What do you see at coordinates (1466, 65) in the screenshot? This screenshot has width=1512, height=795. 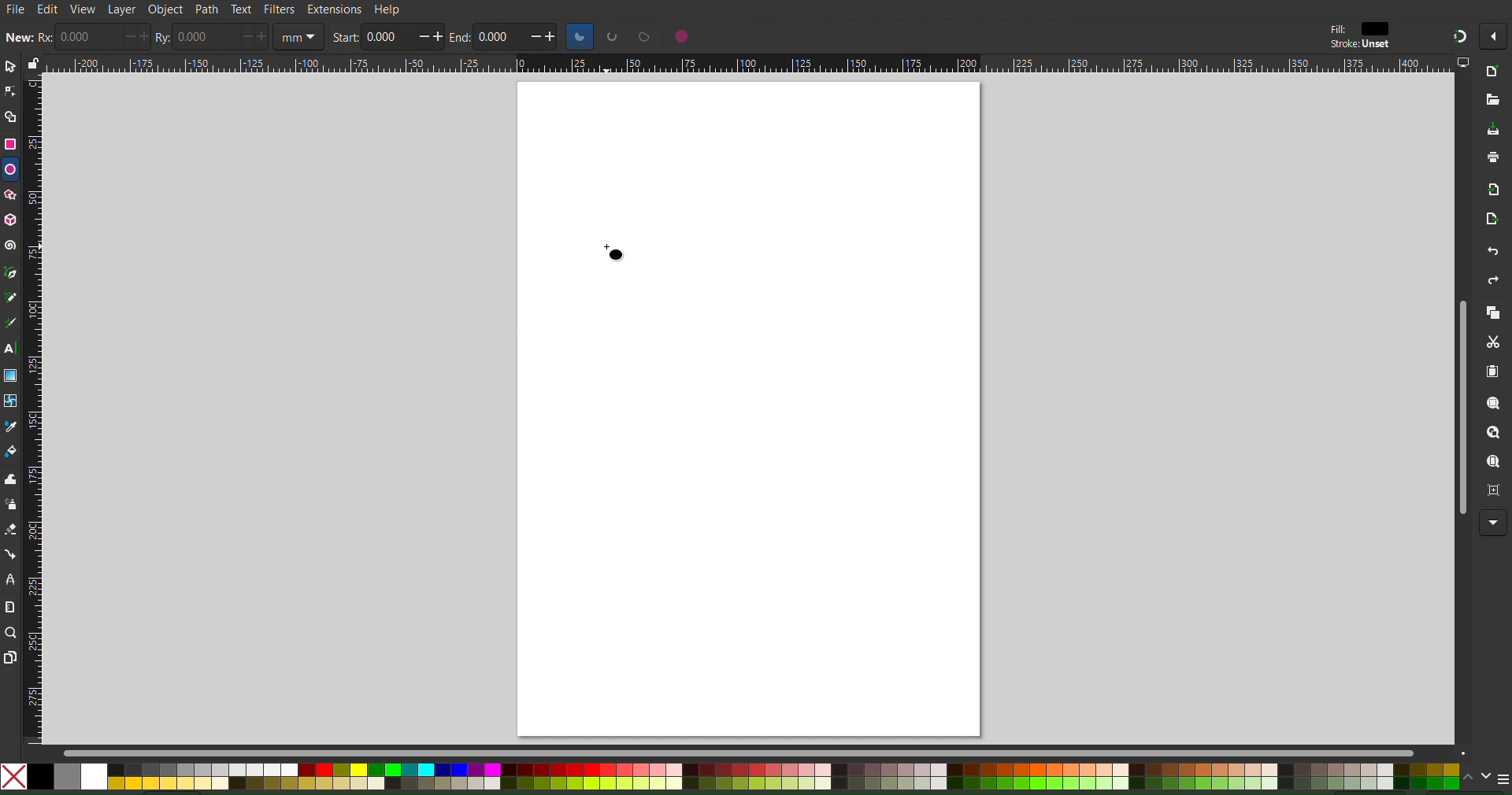 I see `computer icon` at bounding box center [1466, 65].